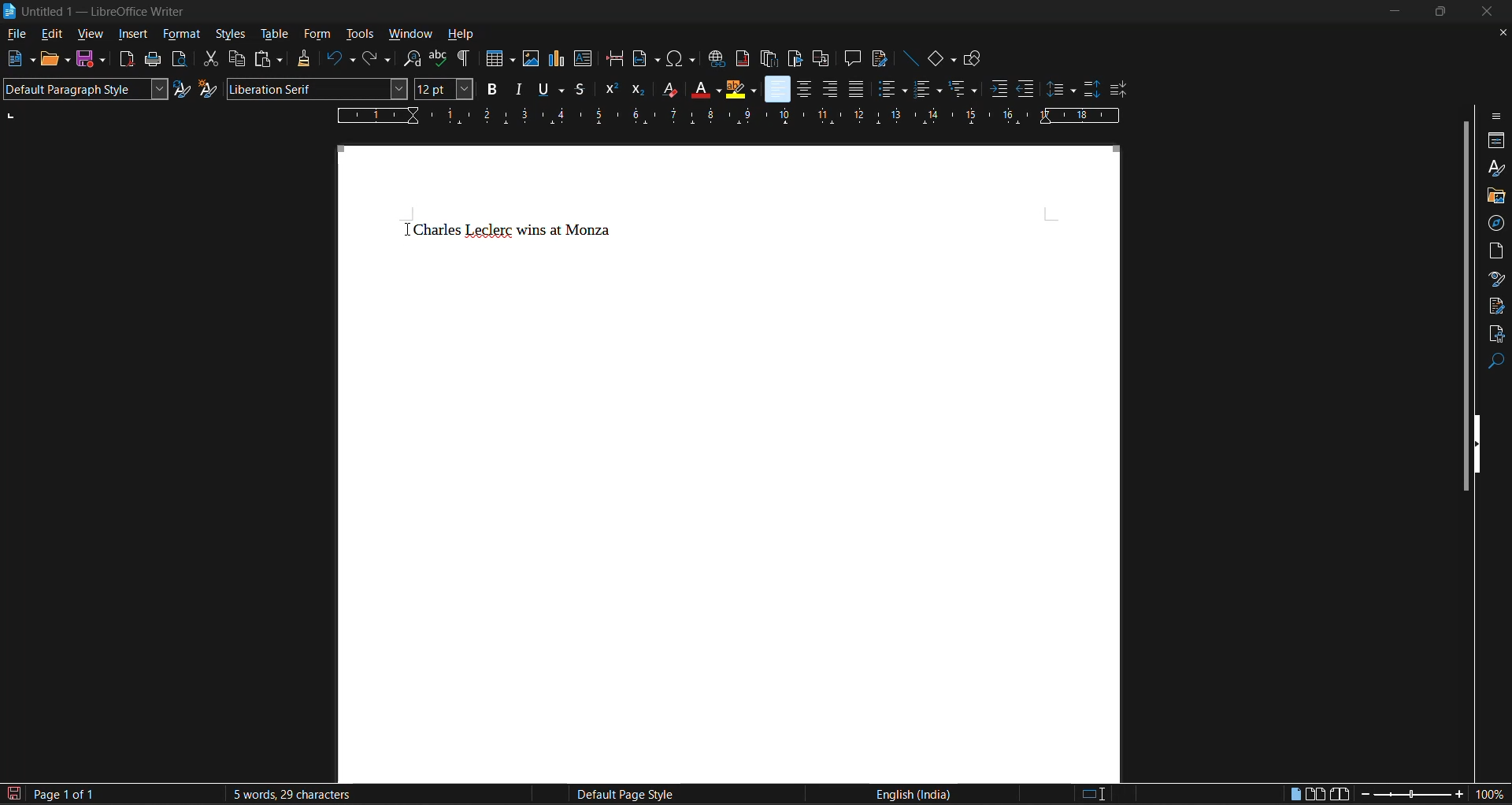 The width and height of the screenshot is (1512, 805). What do you see at coordinates (1494, 167) in the screenshot?
I see `styles` at bounding box center [1494, 167].